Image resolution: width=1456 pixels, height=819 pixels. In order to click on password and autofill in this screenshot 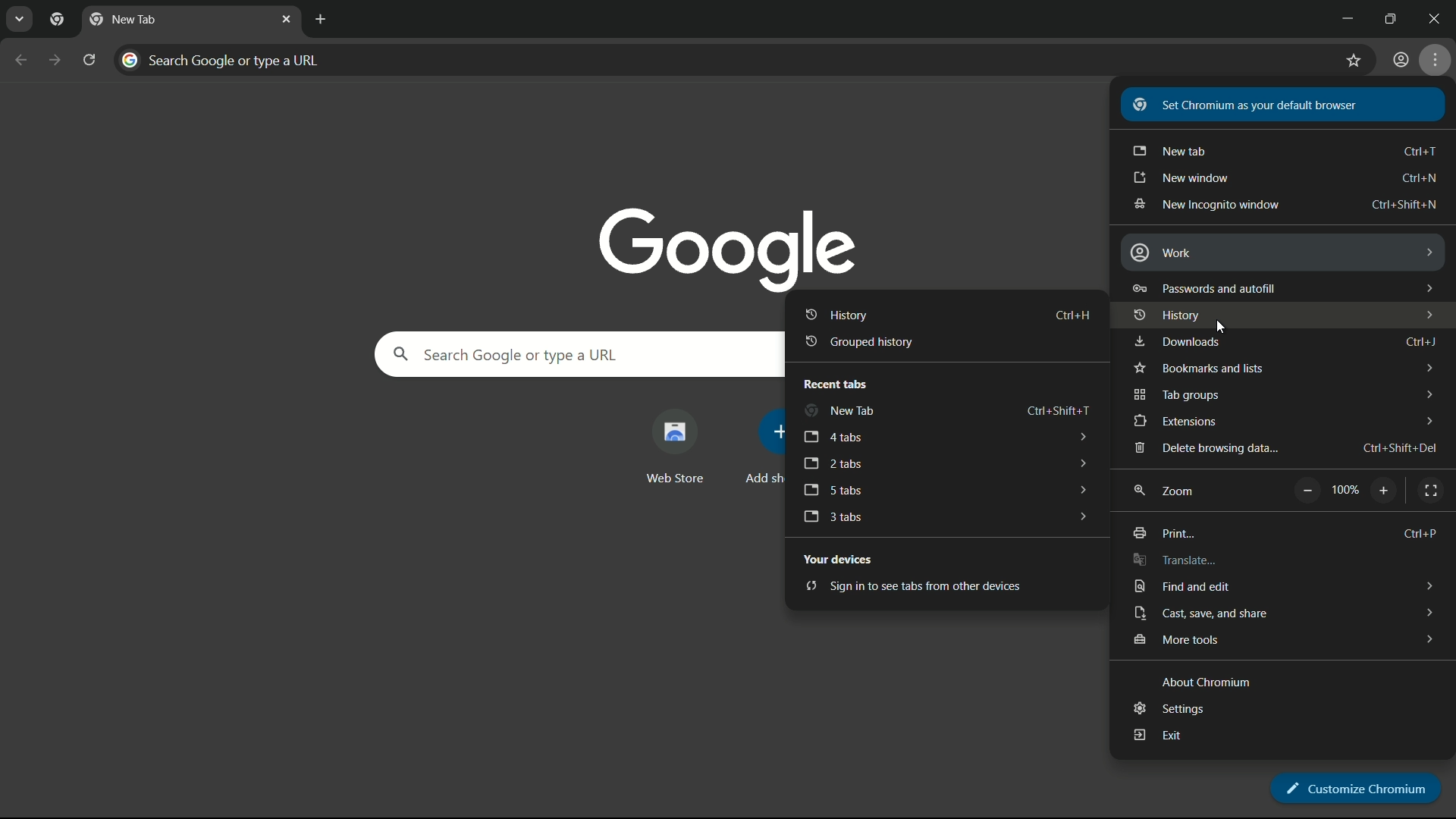, I will do `click(1204, 288)`.